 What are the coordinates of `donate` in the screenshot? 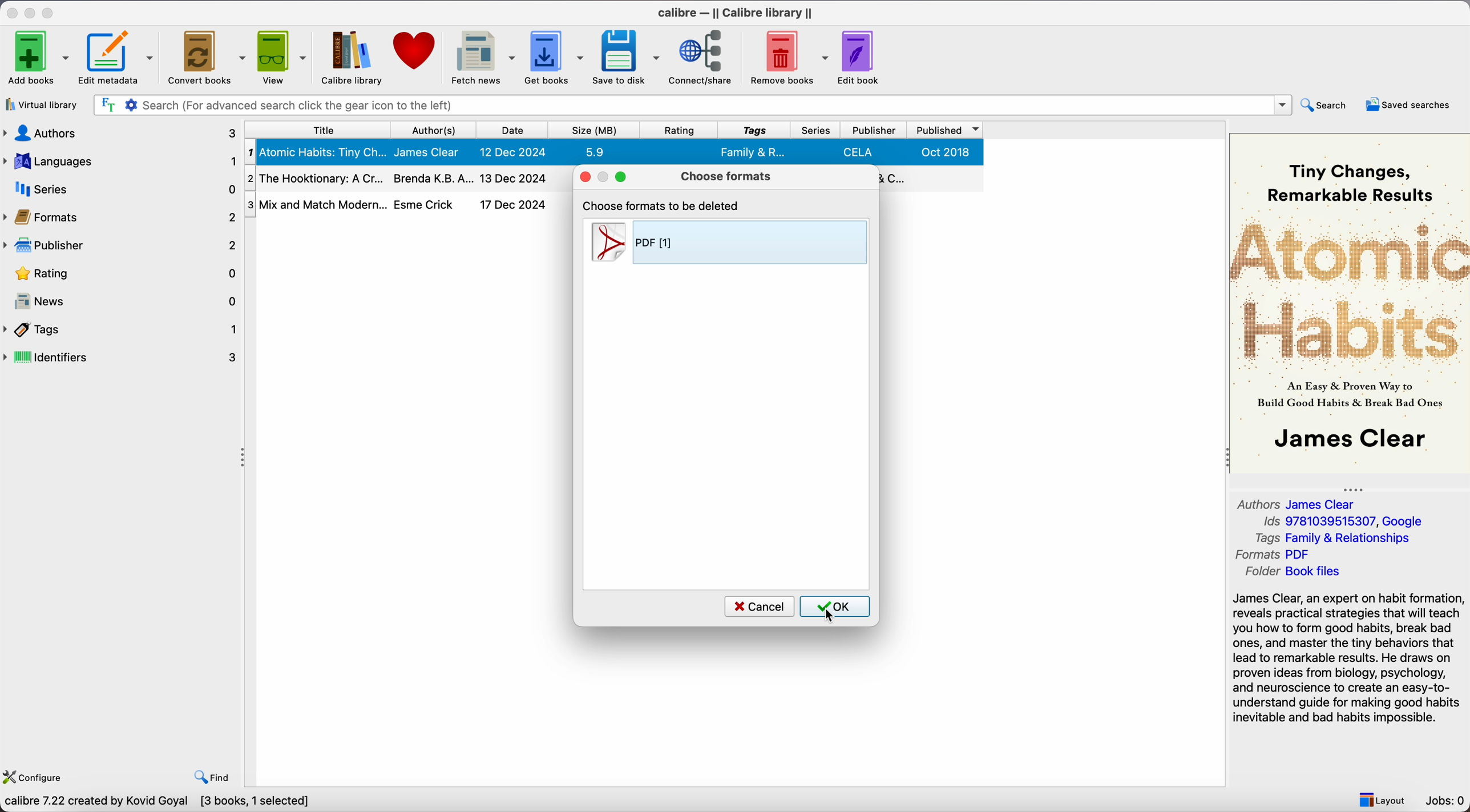 It's located at (415, 49).